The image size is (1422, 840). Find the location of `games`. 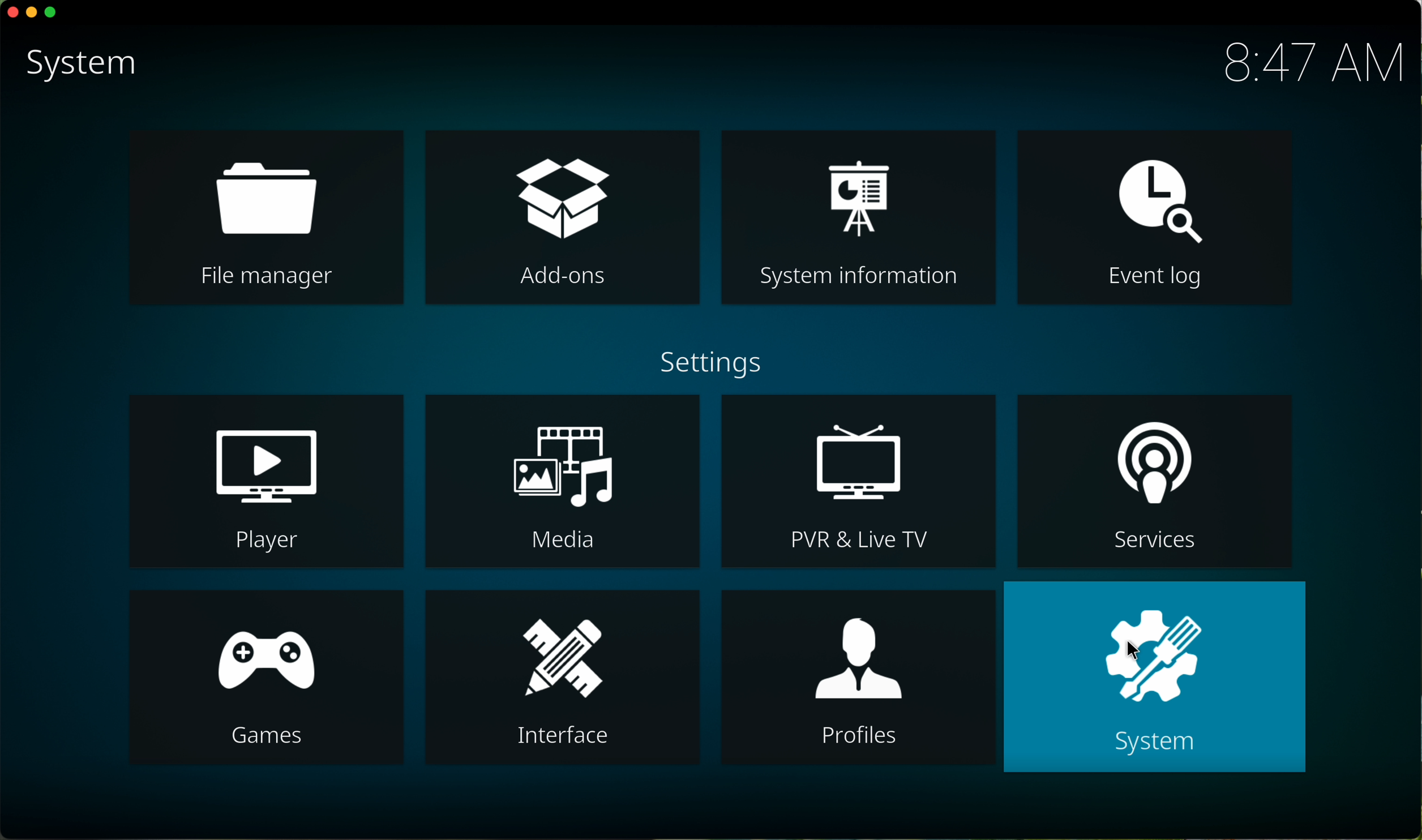

games is located at coordinates (267, 679).